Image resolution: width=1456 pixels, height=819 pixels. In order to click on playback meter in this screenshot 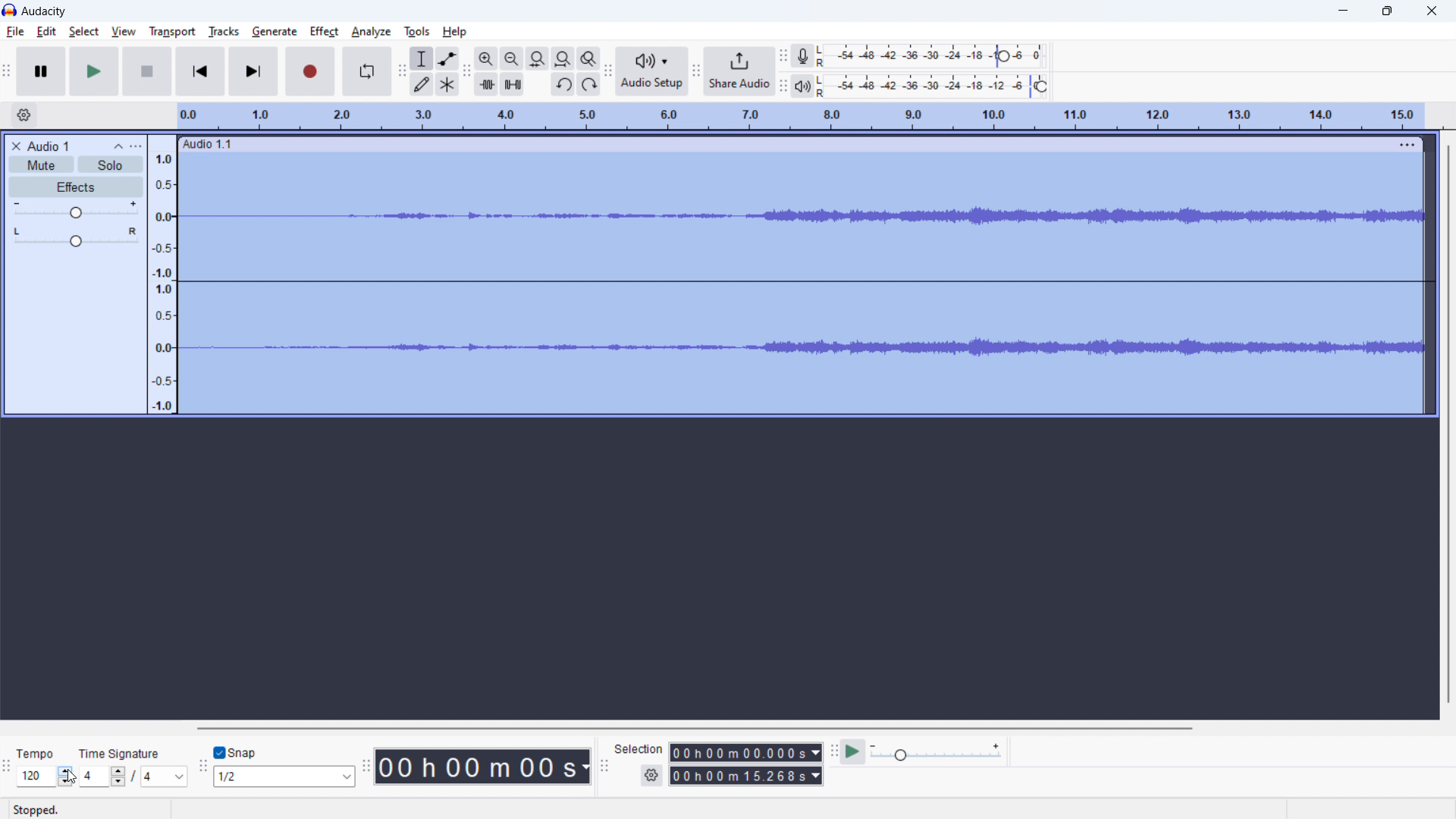, I will do `click(800, 86)`.